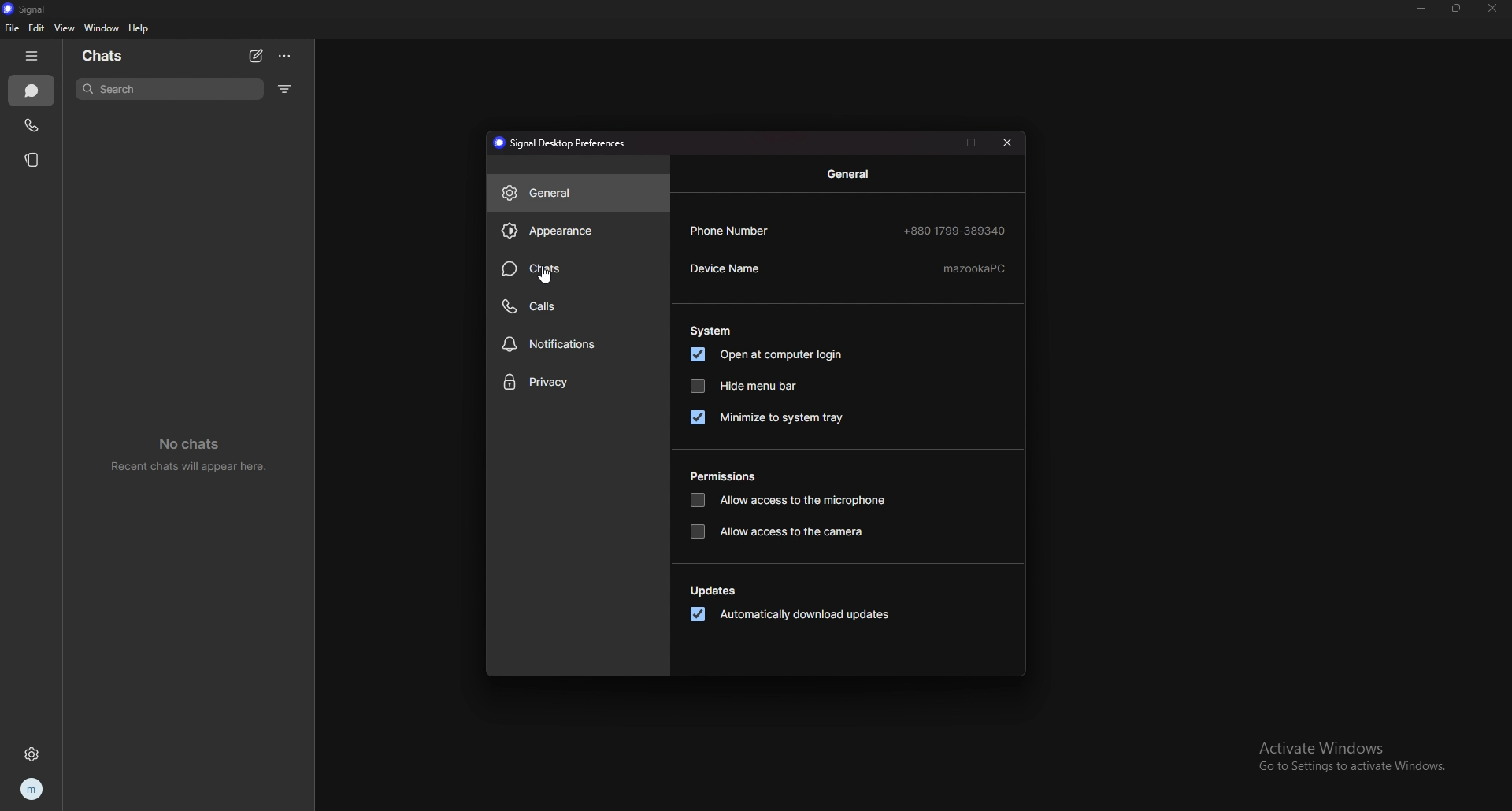 This screenshot has width=1512, height=811. Describe the element at coordinates (169, 89) in the screenshot. I see `search` at that location.